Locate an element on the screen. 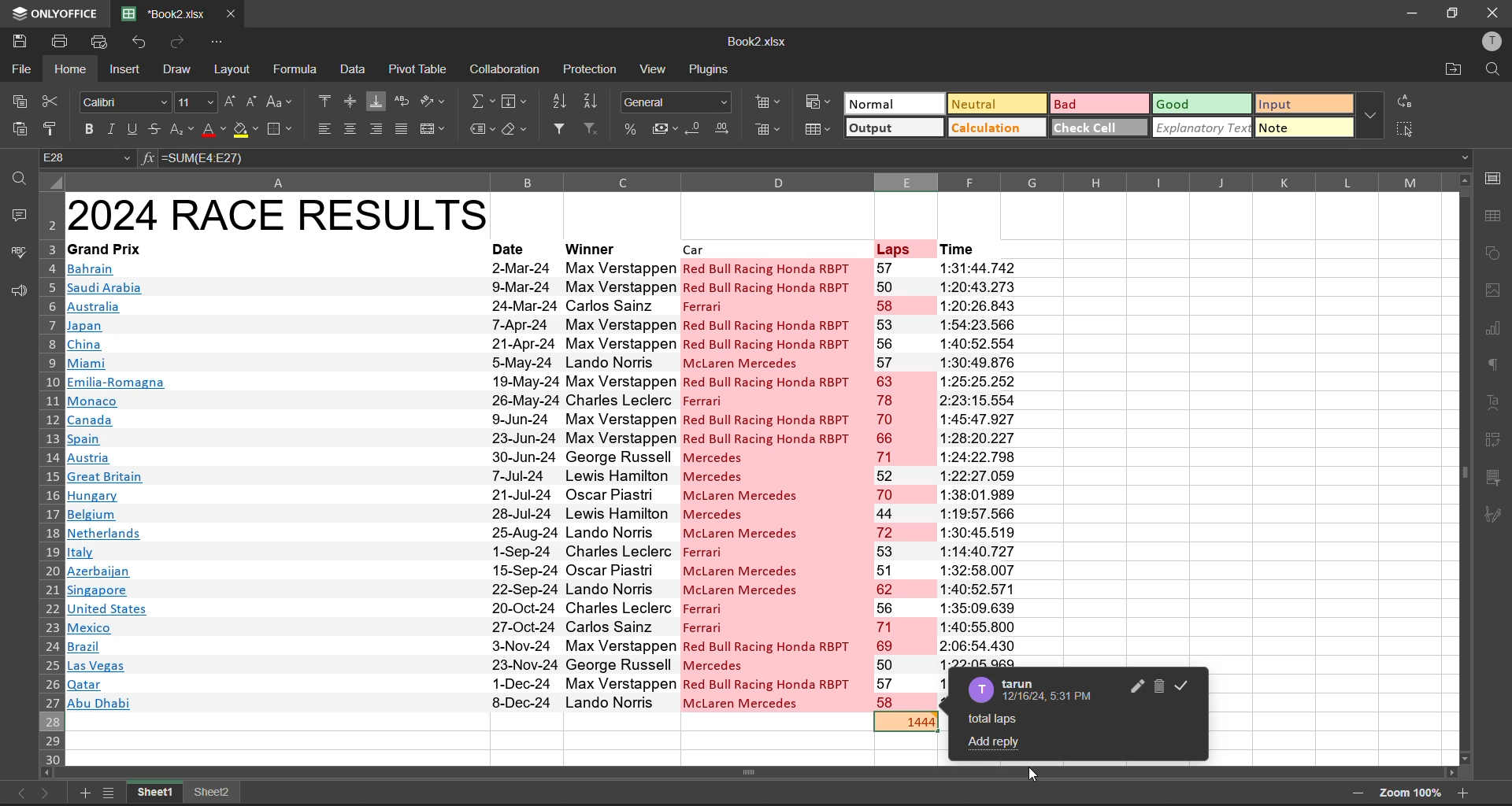 The image size is (1512, 806). select all is located at coordinates (1411, 129).